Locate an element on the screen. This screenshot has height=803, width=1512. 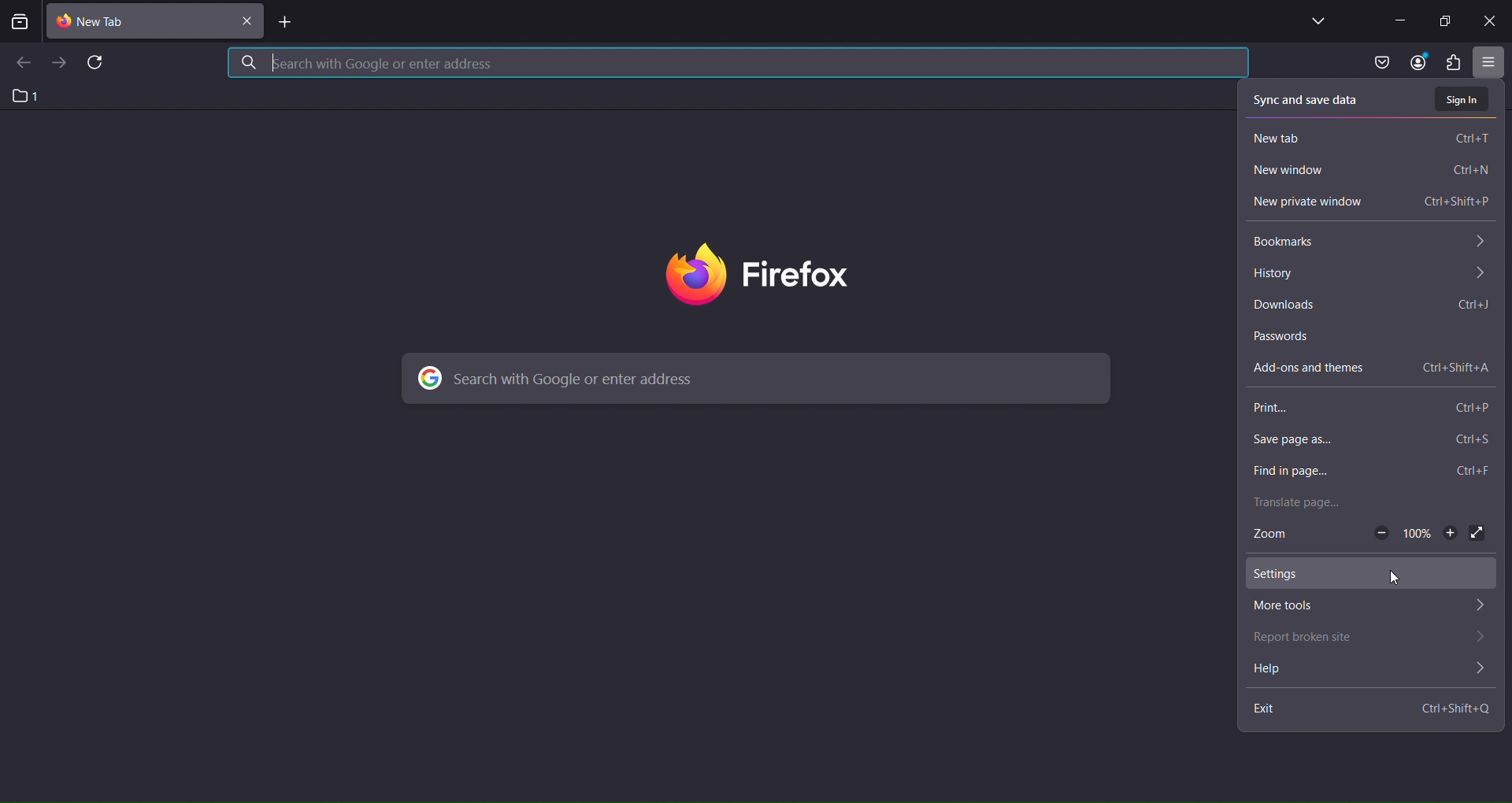
extensions is located at coordinates (1453, 65).